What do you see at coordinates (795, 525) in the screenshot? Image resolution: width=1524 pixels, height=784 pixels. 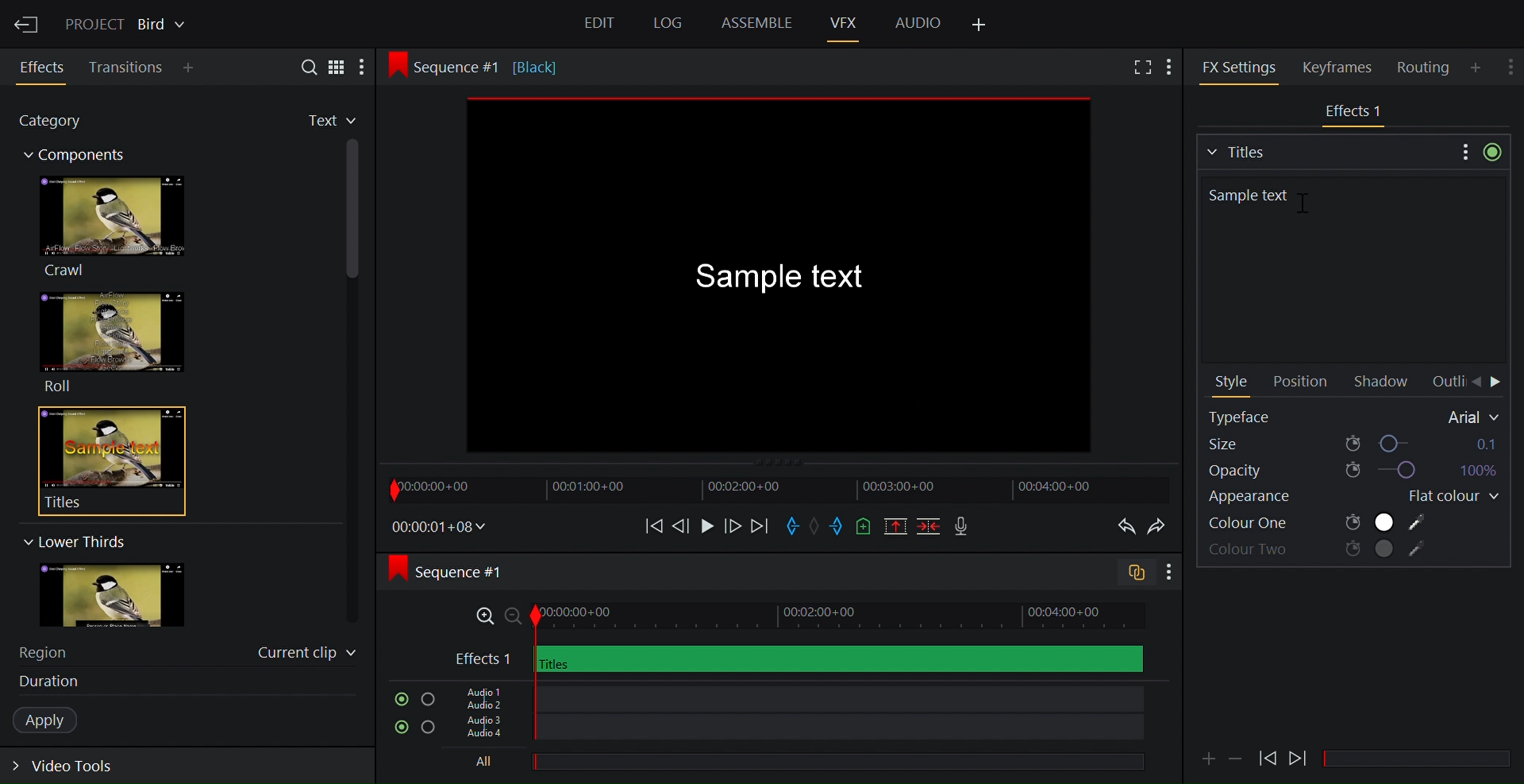 I see `Mark in` at bounding box center [795, 525].